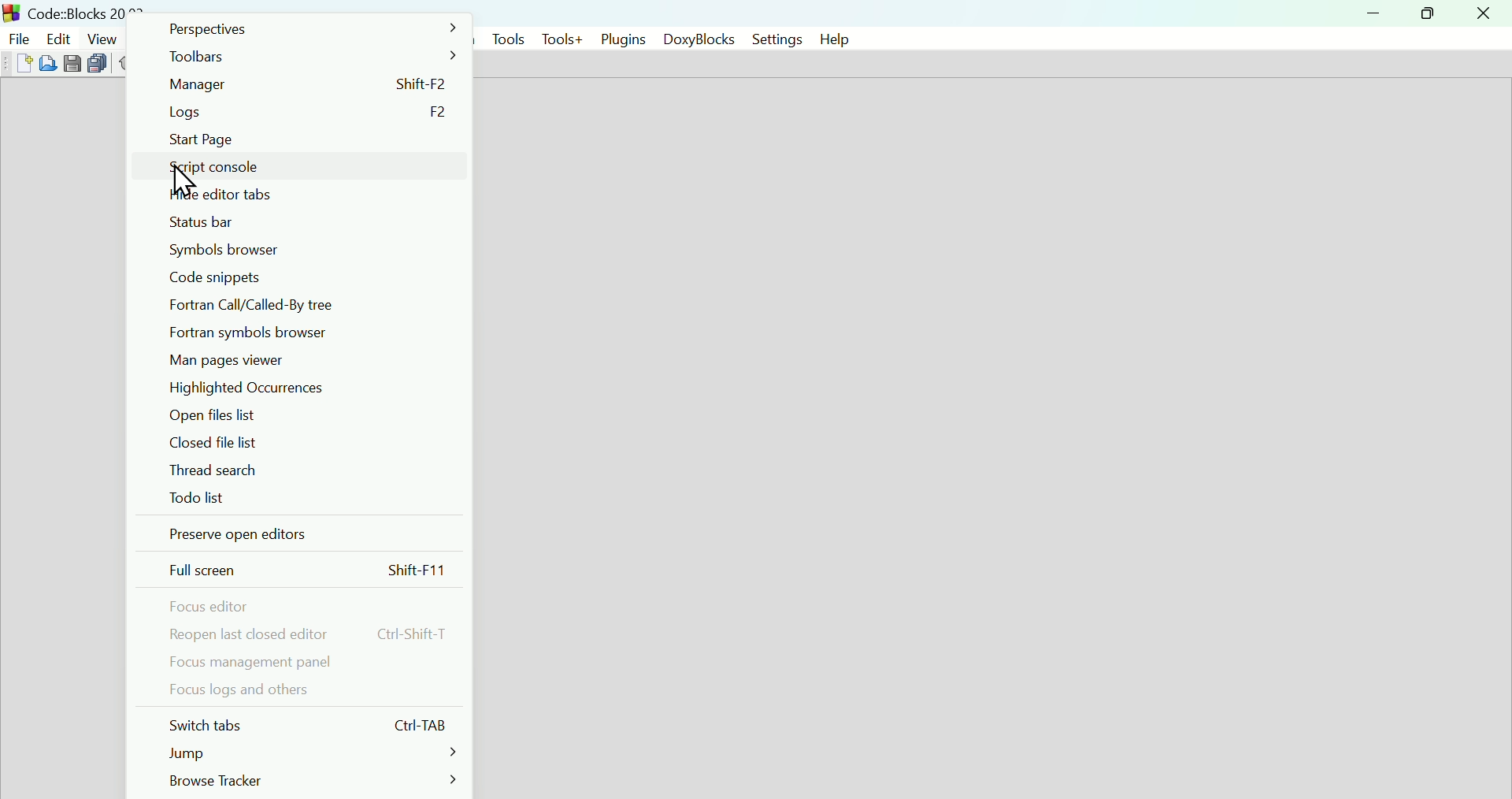 This screenshot has height=799, width=1512. Describe the element at coordinates (306, 535) in the screenshot. I see `Preserve open editors` at that location.